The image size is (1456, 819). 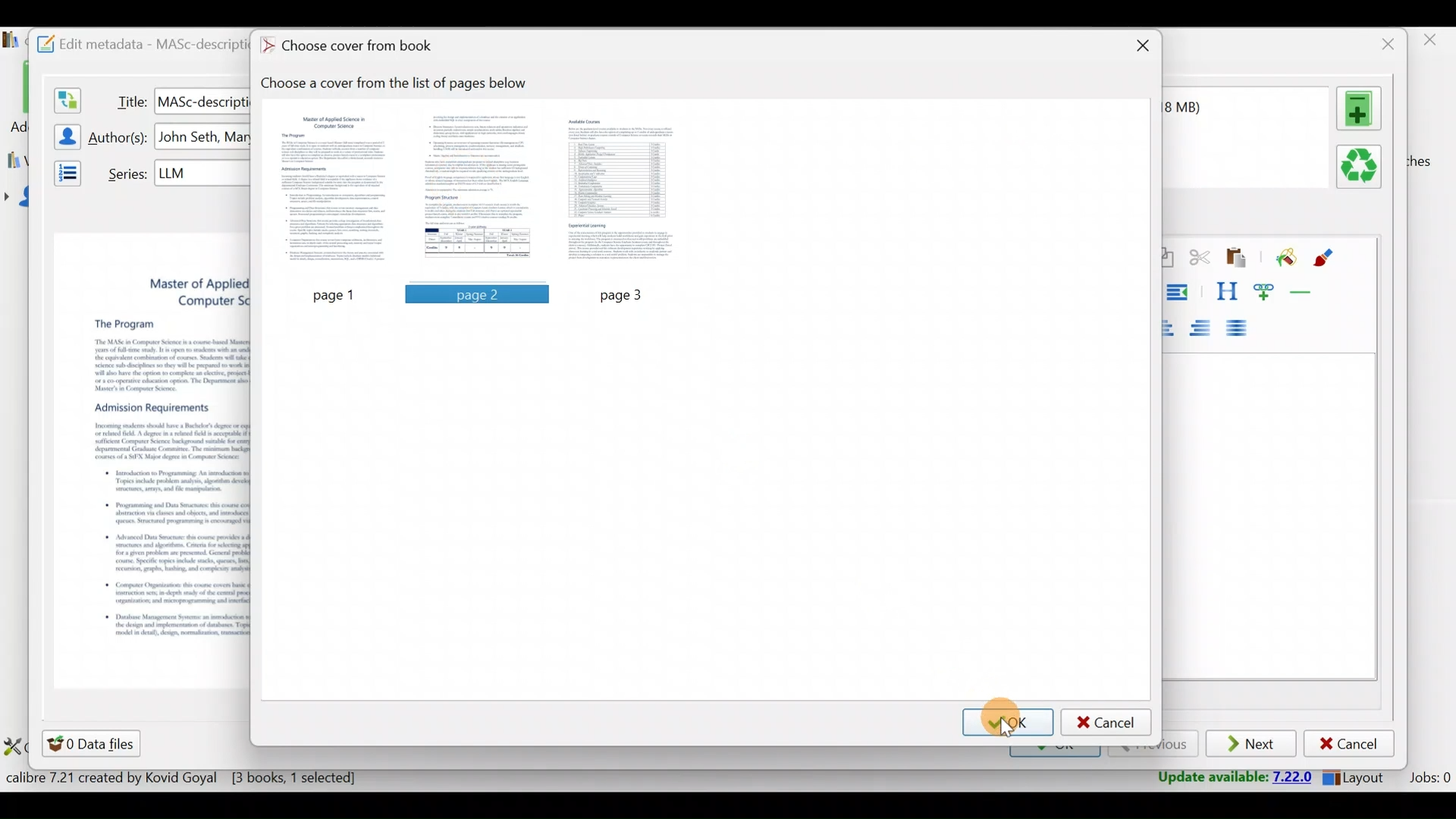 I want to click on Open the manage series editor, so click(x=63, y=171).